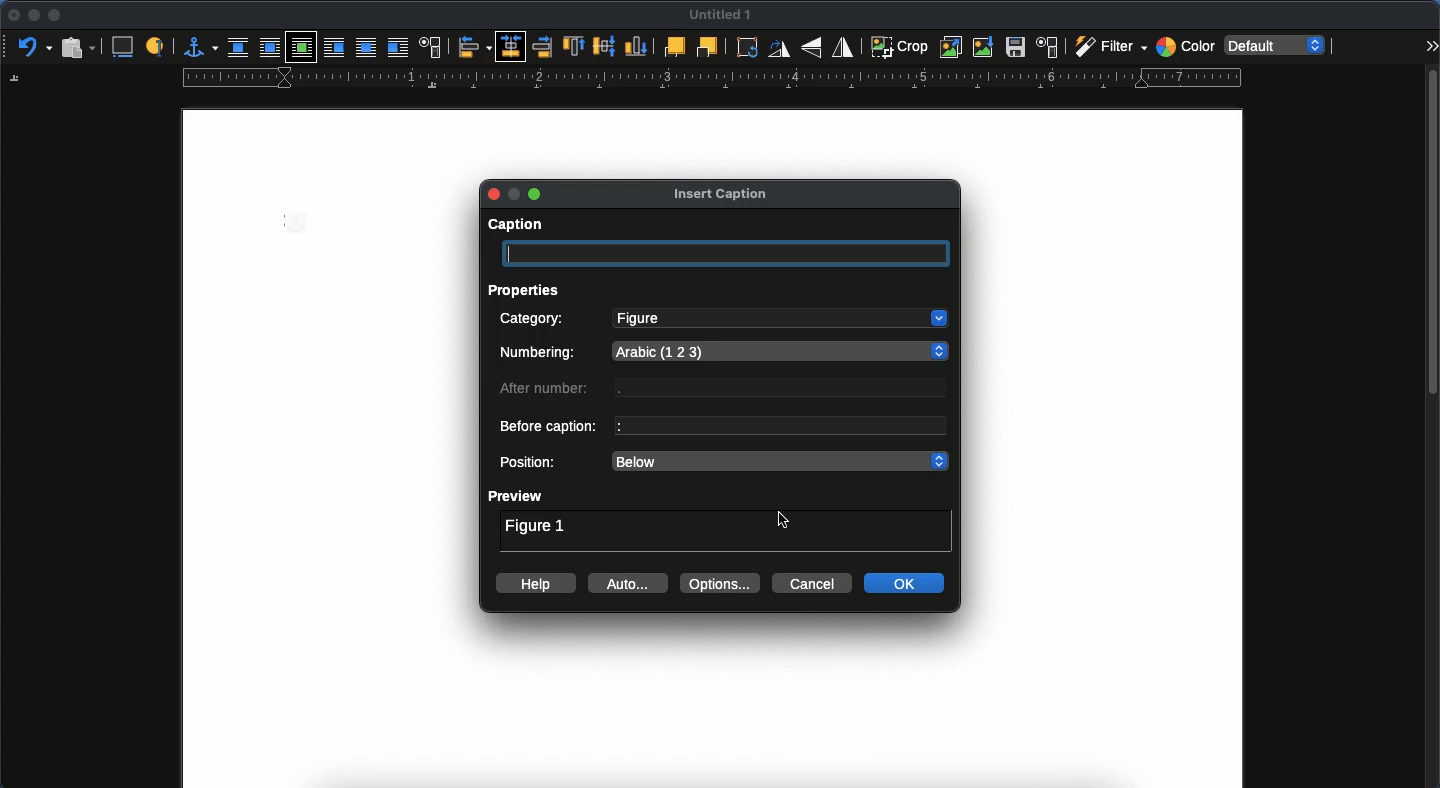 The image size is (1440, 788). What do you see at coordinates (986, 46) in the screenshot?
I see `compress` at bounding box center [986, 46].